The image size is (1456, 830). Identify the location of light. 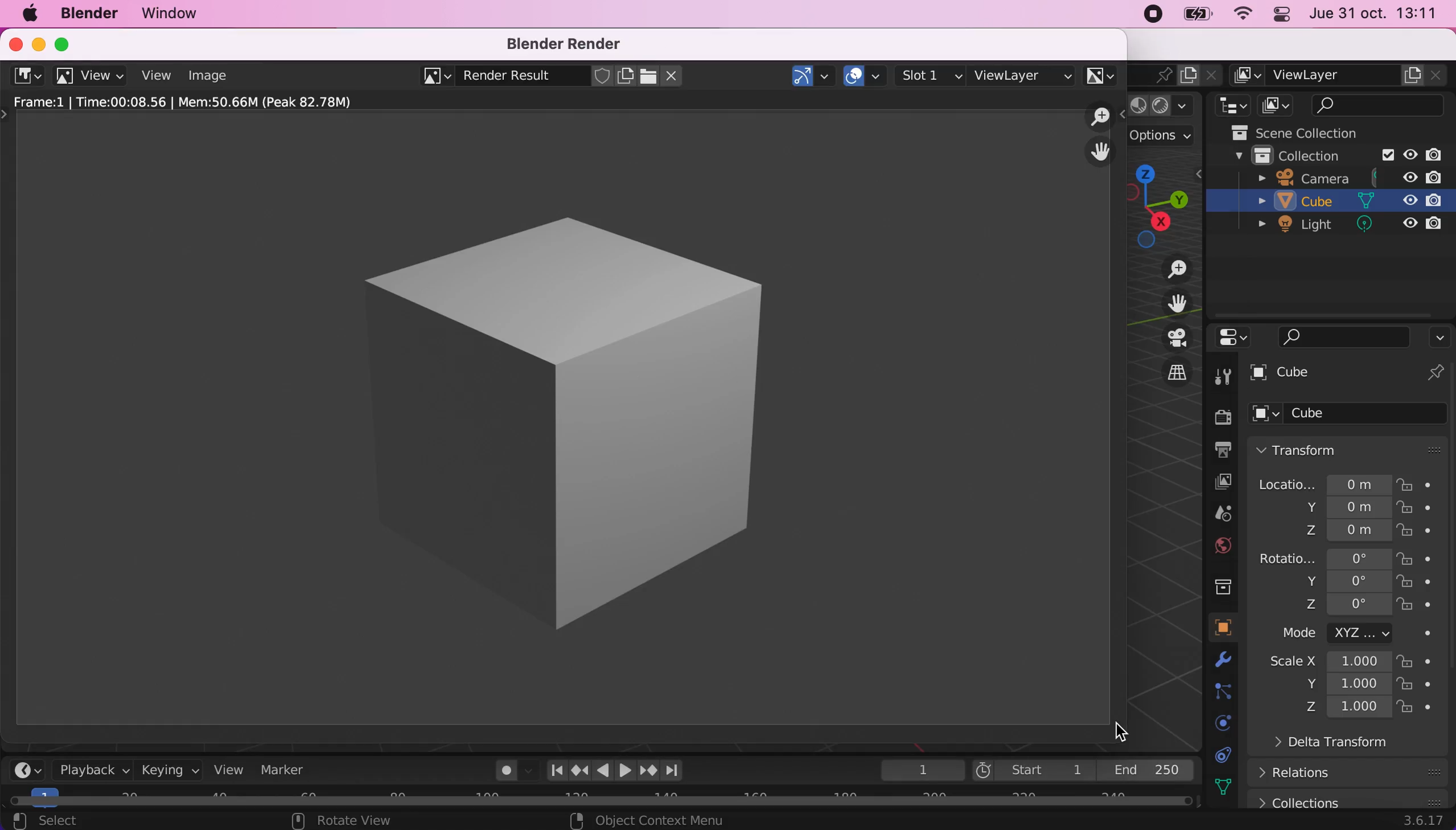
(1341, 227).